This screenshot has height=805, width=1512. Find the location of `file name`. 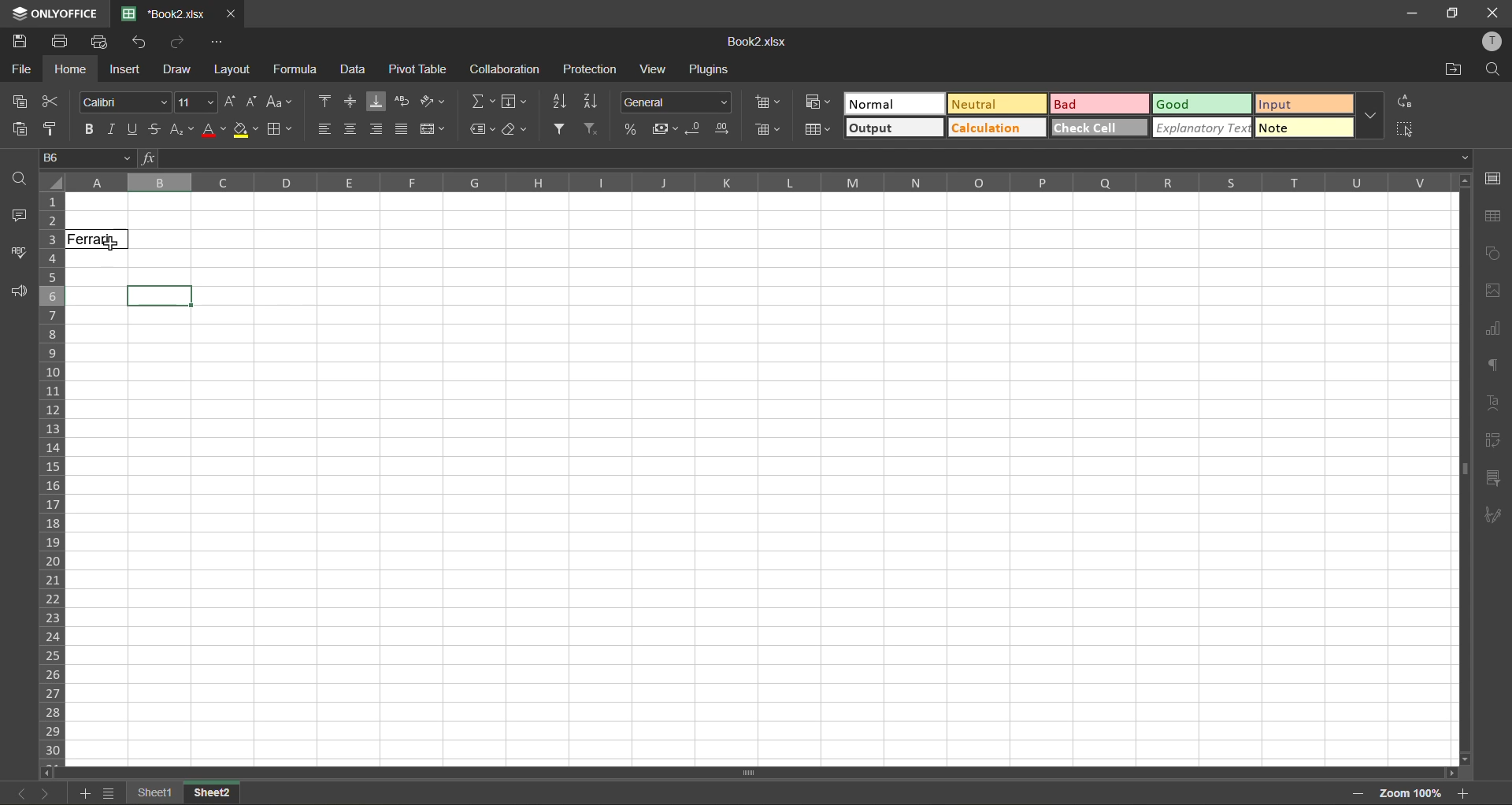

file name is located at coordinates (754, 42).